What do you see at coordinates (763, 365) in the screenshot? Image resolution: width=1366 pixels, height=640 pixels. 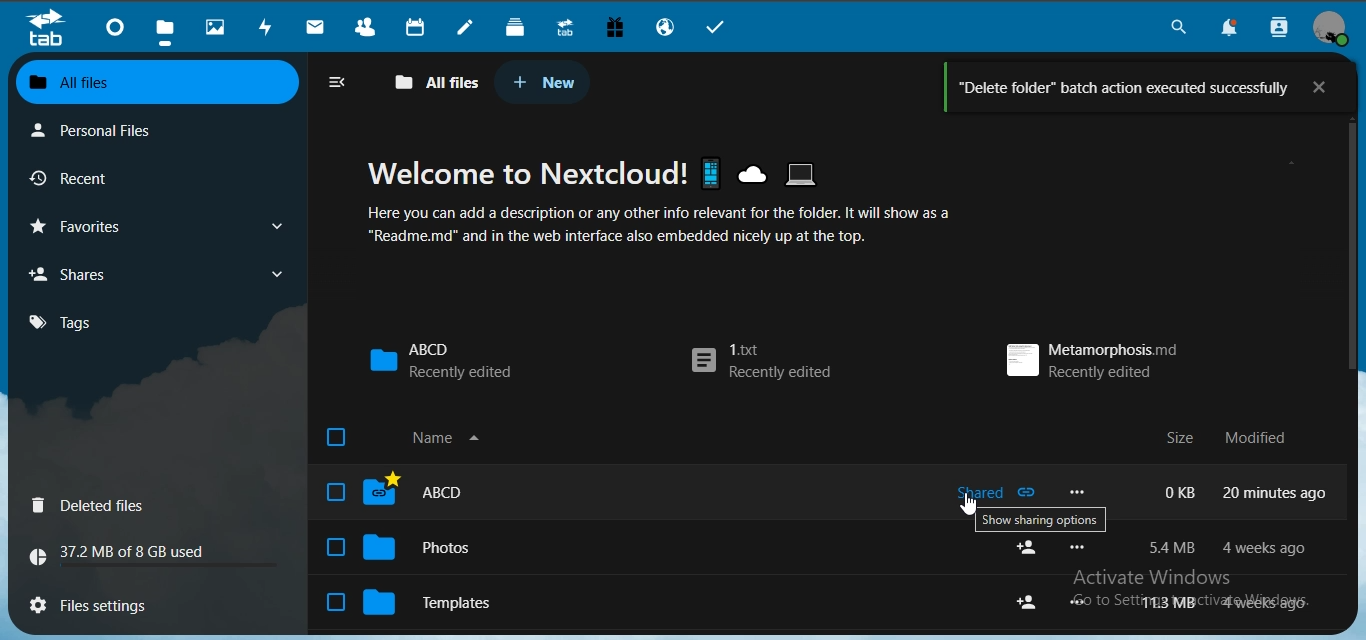 I see `1.txt recently edited` at bounding box center [763, 365].